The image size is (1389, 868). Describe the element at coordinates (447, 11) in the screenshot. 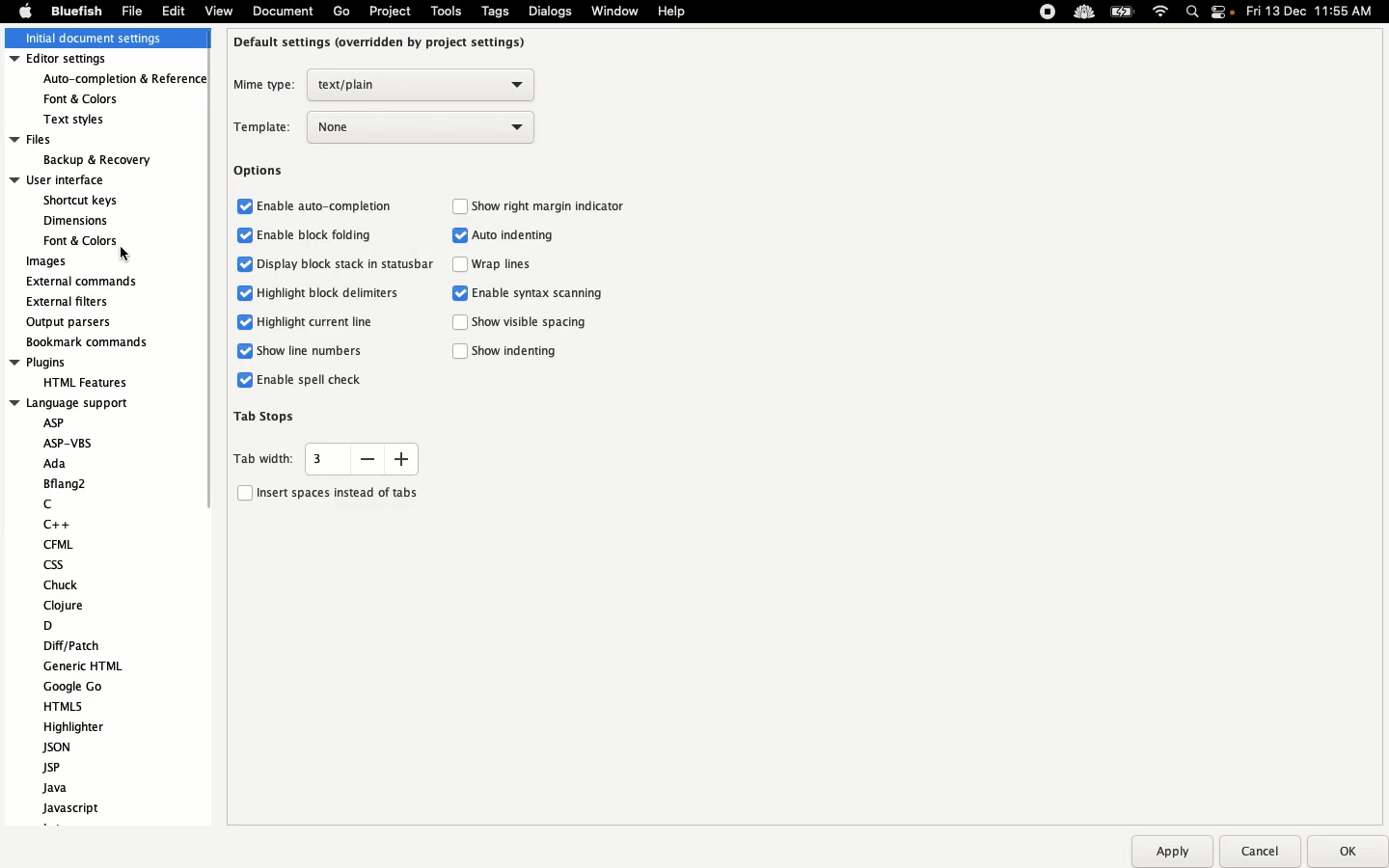

I see `Tools` at that location.